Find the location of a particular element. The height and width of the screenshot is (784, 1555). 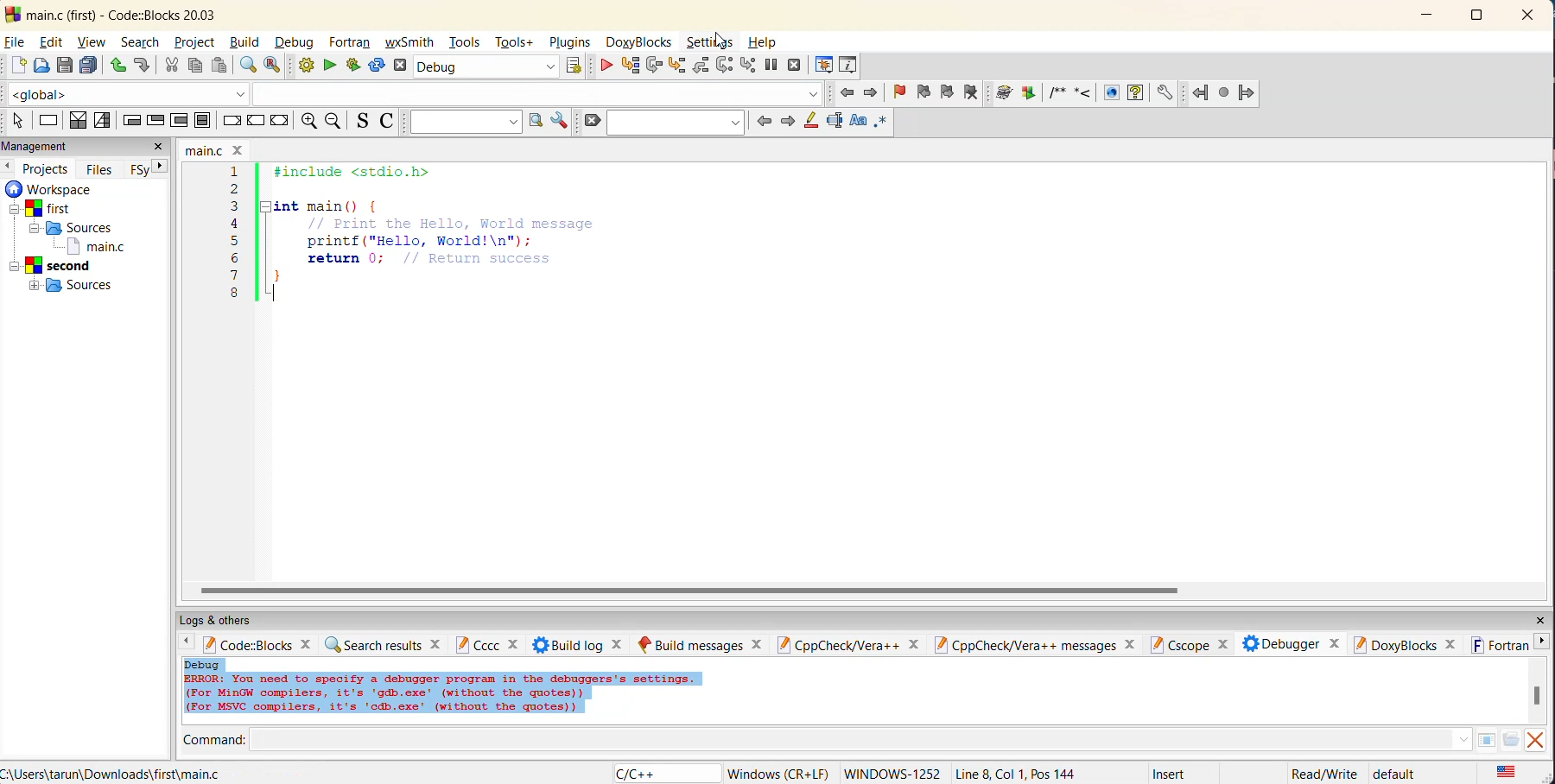

rebuild is located at coordinates (378, 66).